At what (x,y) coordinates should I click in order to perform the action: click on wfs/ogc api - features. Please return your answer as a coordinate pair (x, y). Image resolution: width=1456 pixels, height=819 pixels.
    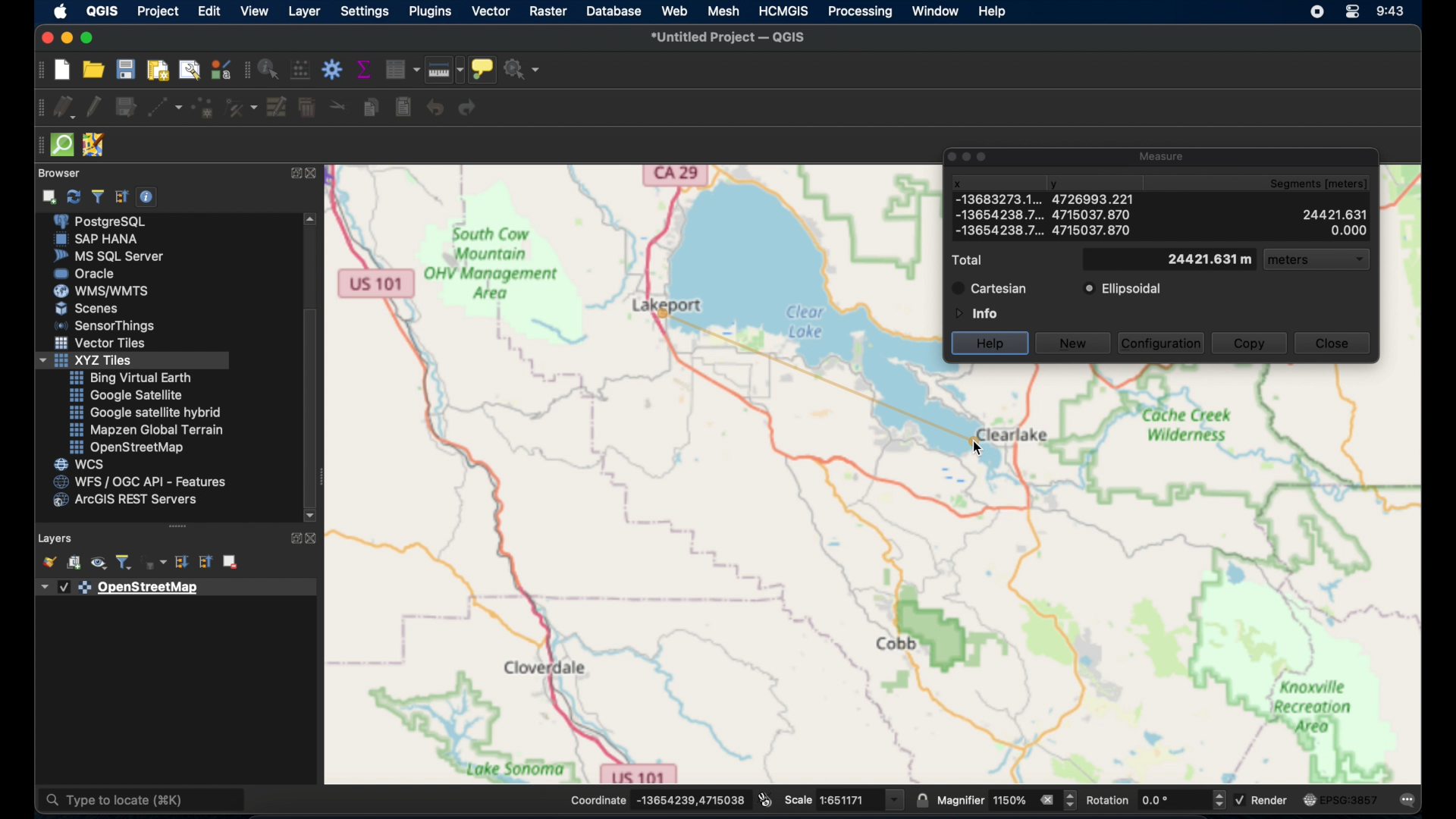
    Looking at the image, I should click on (140, 482).